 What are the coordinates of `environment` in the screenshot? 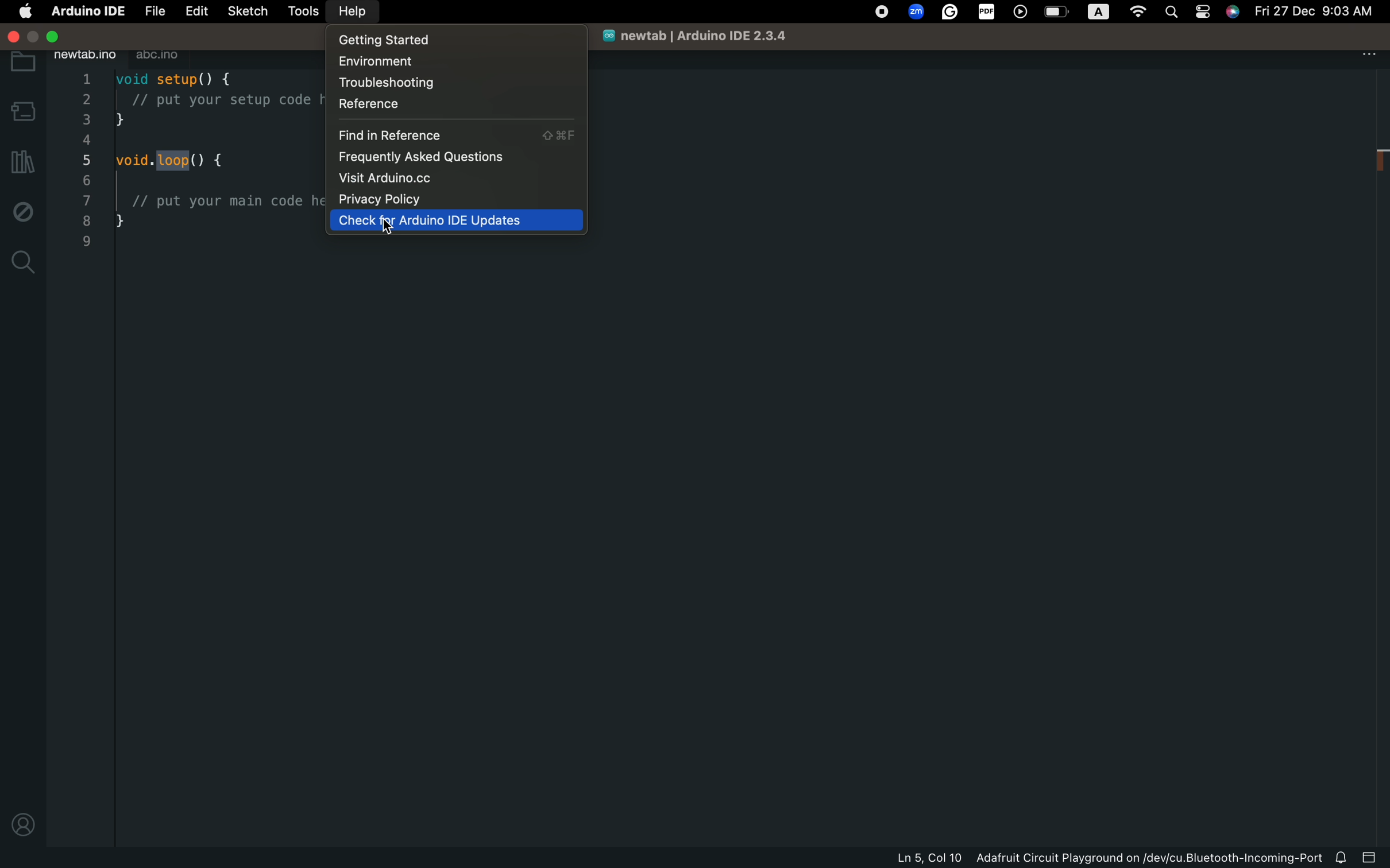 It's located at (400, 61).